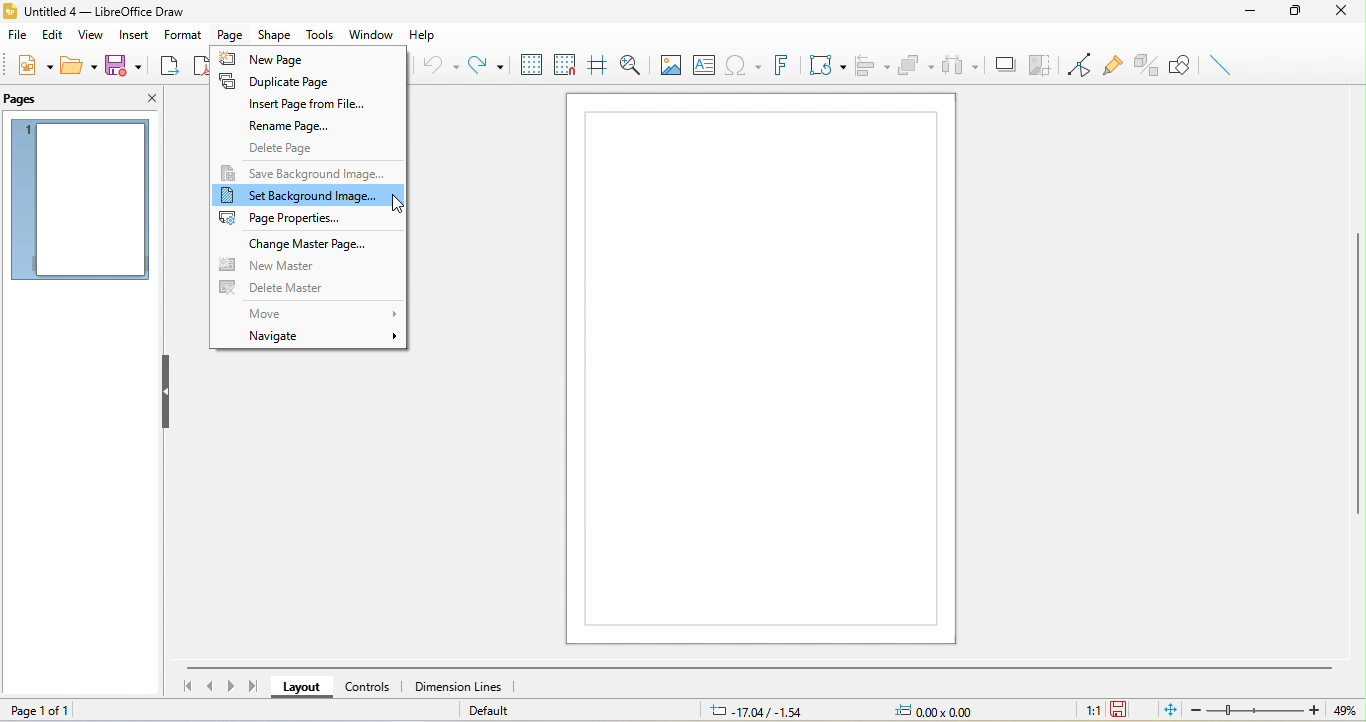 The image size is (1366, 722). Describe the element at coordinates (1255, 12) in the screenshot. I see `minimize` at that location.